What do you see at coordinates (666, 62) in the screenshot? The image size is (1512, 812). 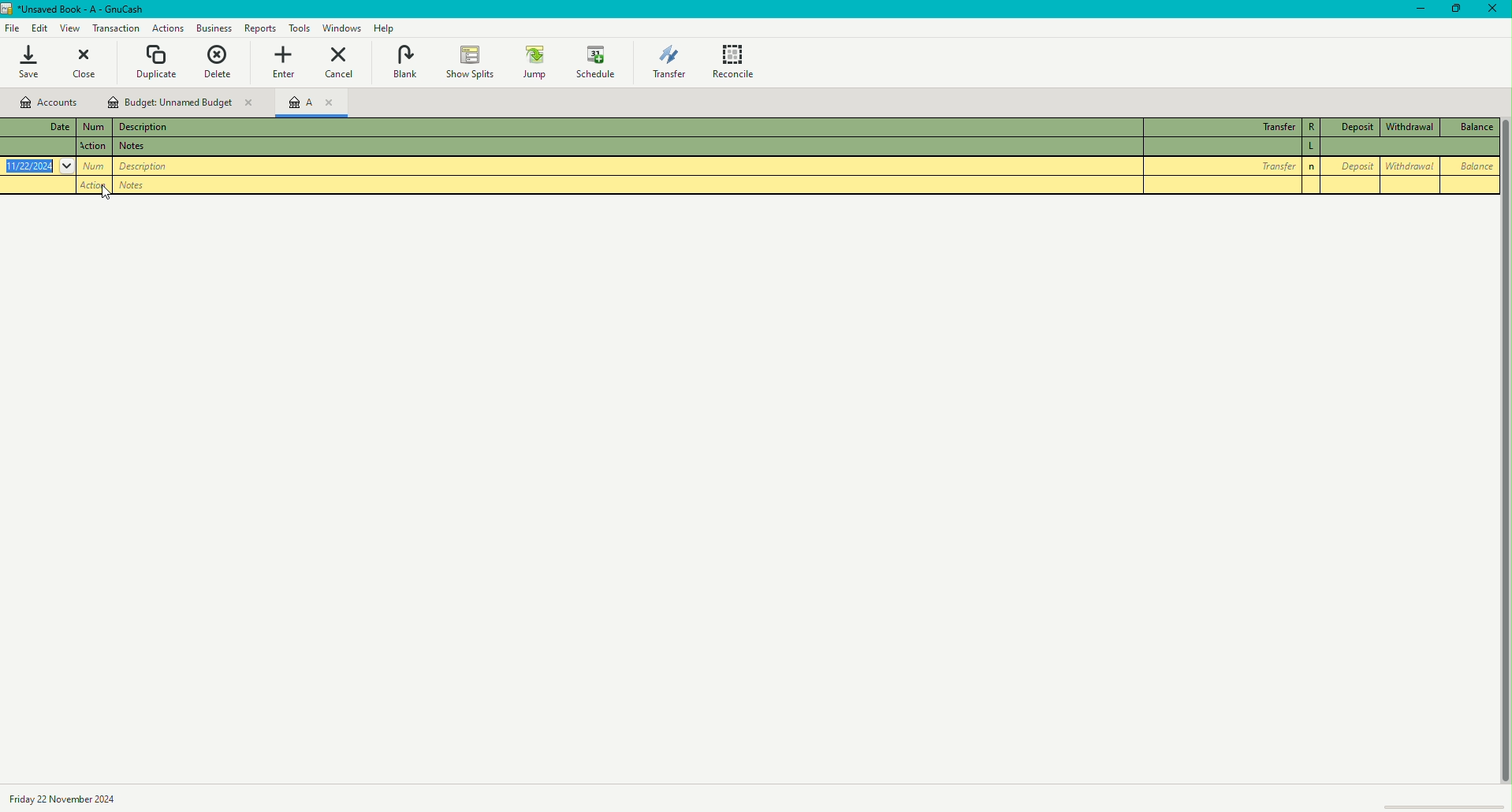 I see `Transfer` at bounding box center [666, 62].